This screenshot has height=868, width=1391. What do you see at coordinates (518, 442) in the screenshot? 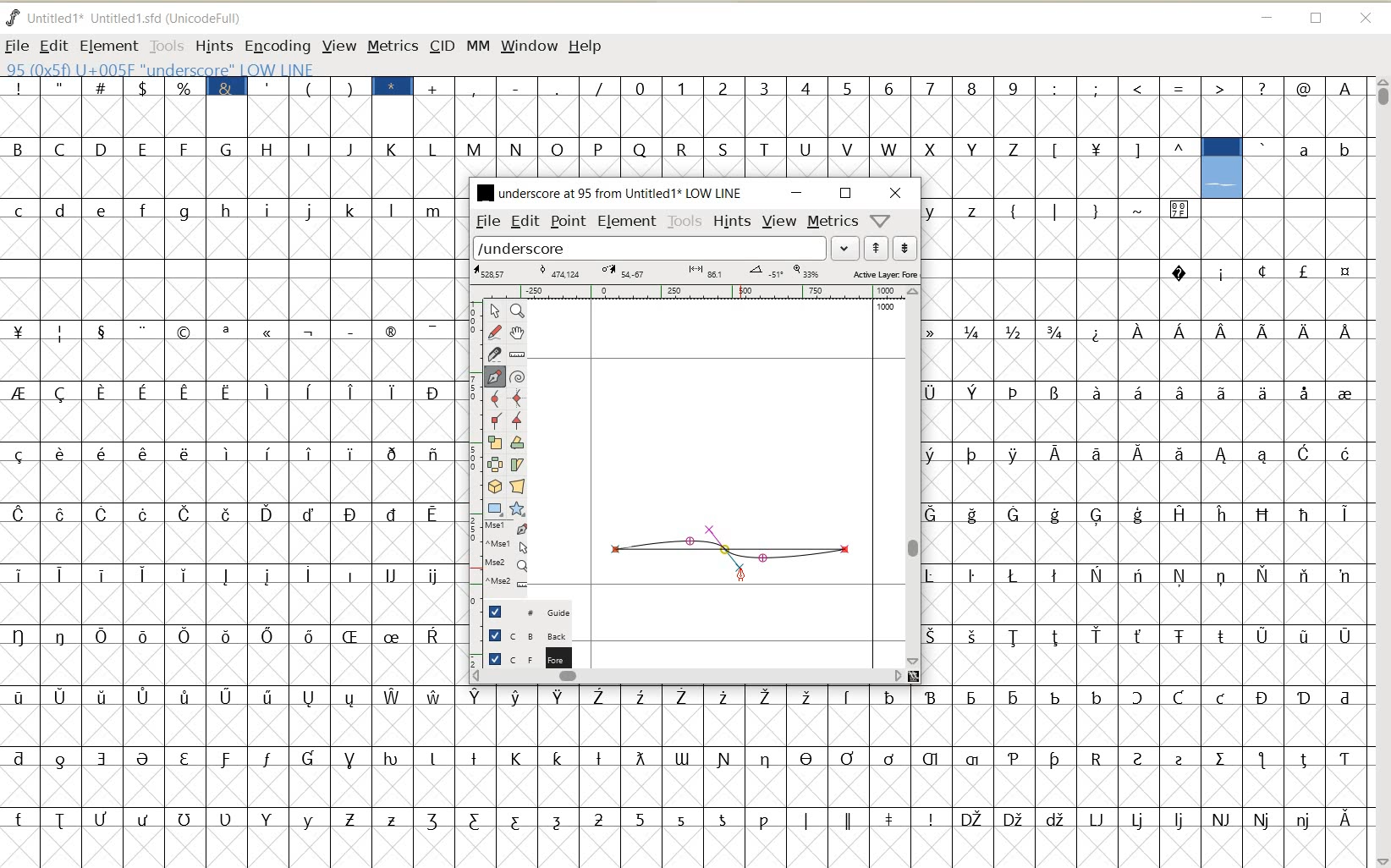
I see `Rotate the selection` at bounding box center [518, 442].